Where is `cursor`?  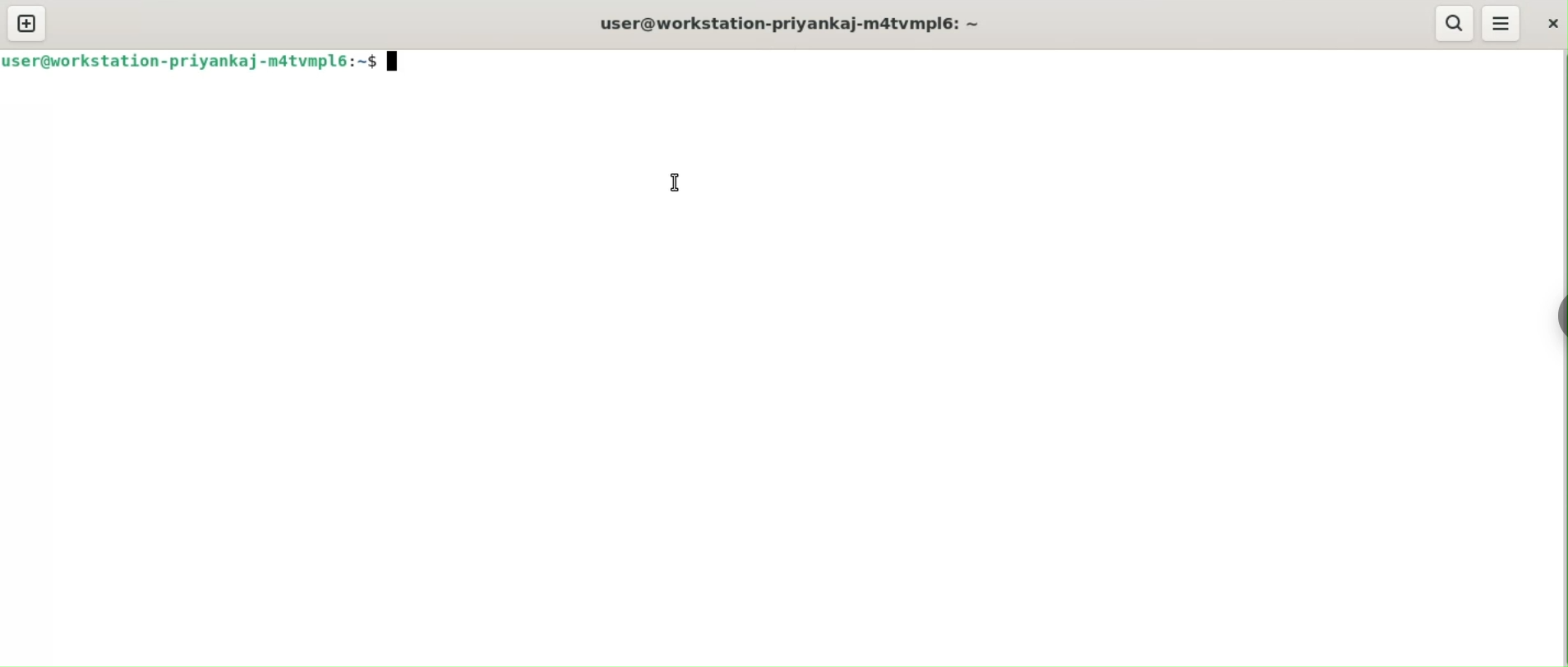 cursor is located at coordinates (672, 182).